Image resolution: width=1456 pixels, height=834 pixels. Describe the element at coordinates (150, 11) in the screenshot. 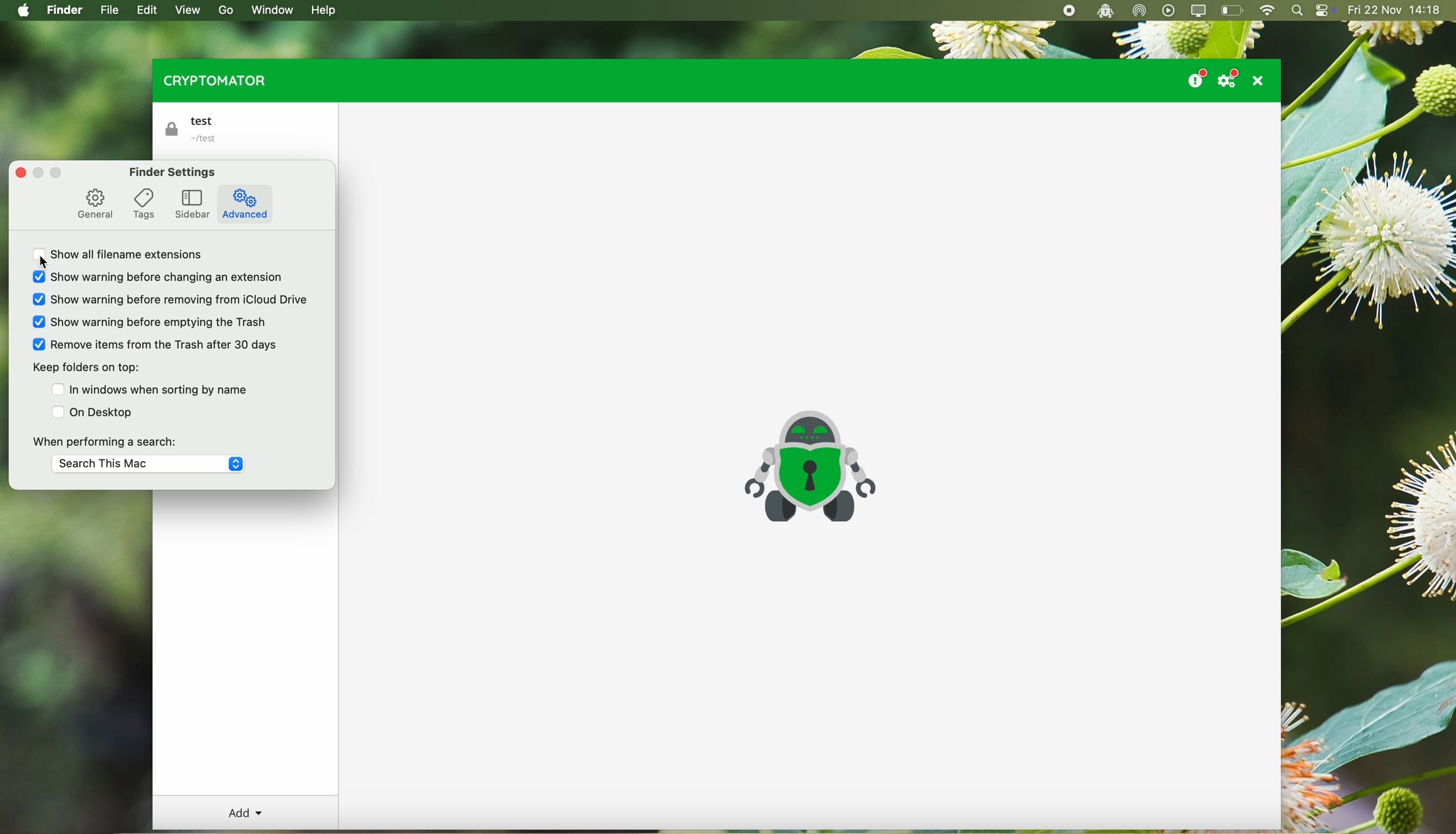

I see `edit` at that location.